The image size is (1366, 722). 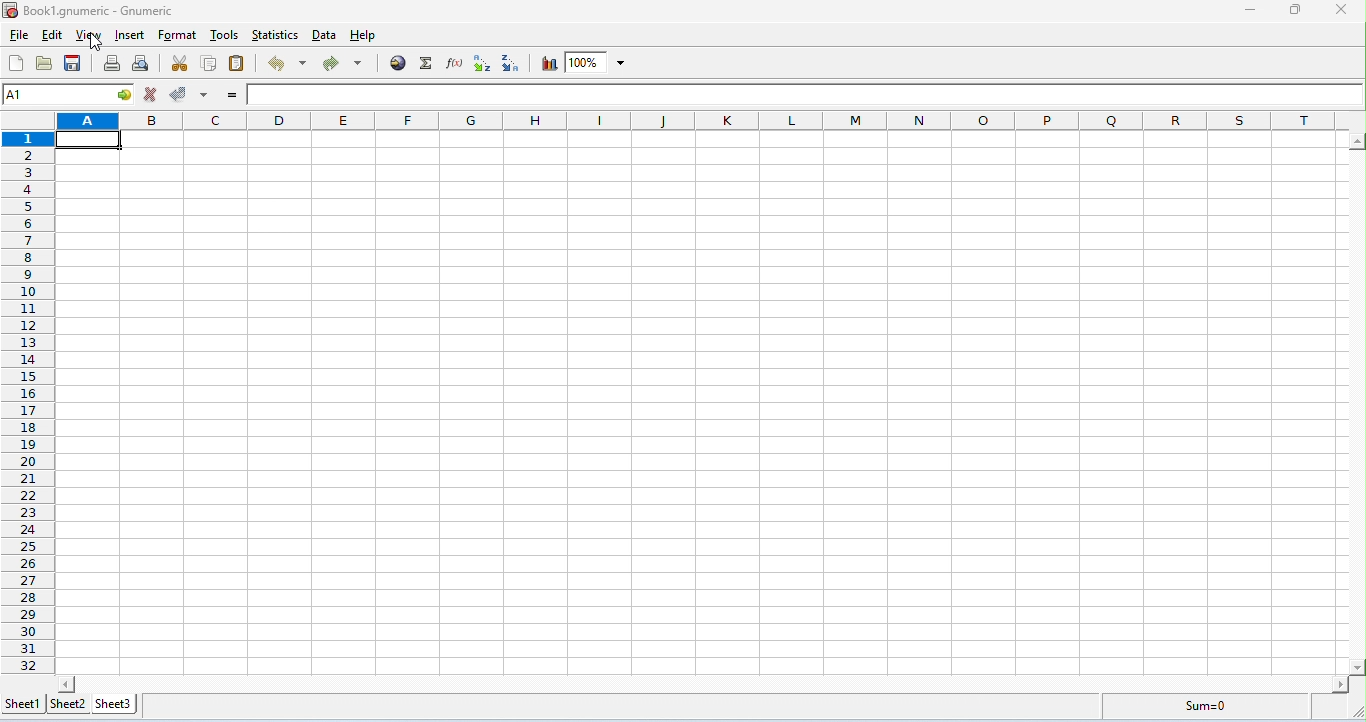 What do you see at coordinates (89, 11) in the screenshot?
I see `Book1 numeric - Gnumeric` at bounding box center [89, 11].